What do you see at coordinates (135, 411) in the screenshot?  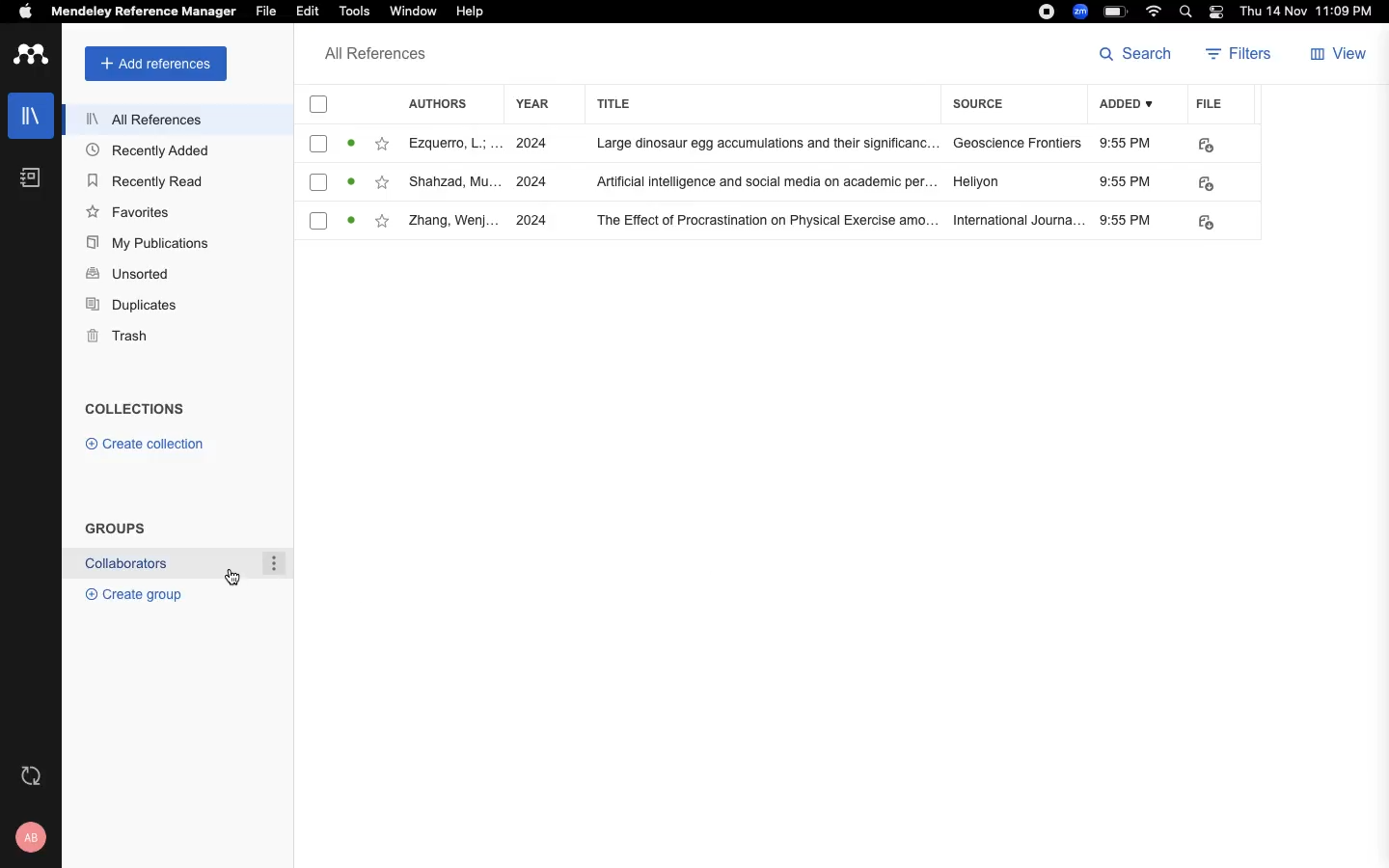 I see `COLLECTIONS` at bounding box center [135, 411].